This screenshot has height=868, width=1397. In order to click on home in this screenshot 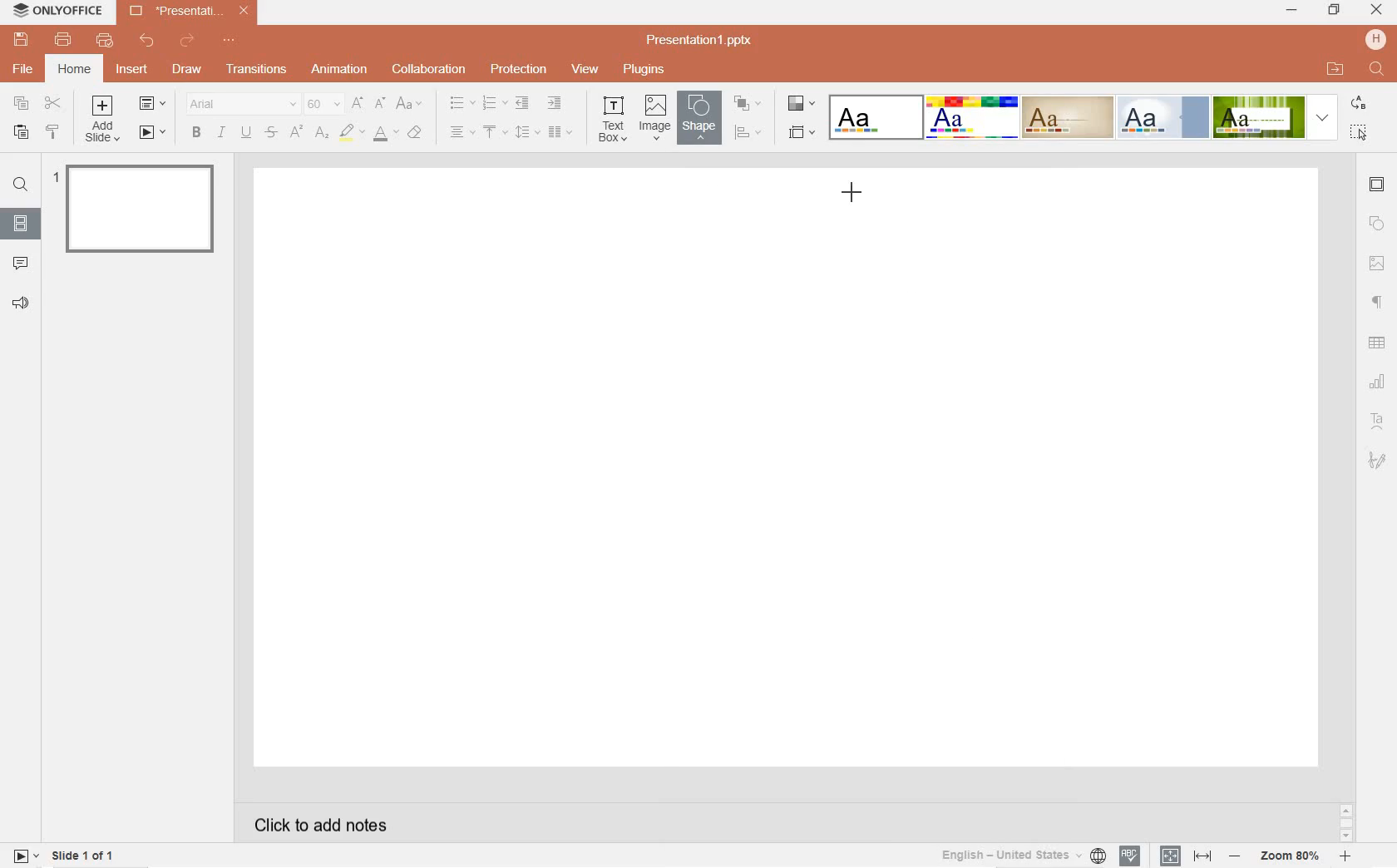, I will do `click(74, 69)`.